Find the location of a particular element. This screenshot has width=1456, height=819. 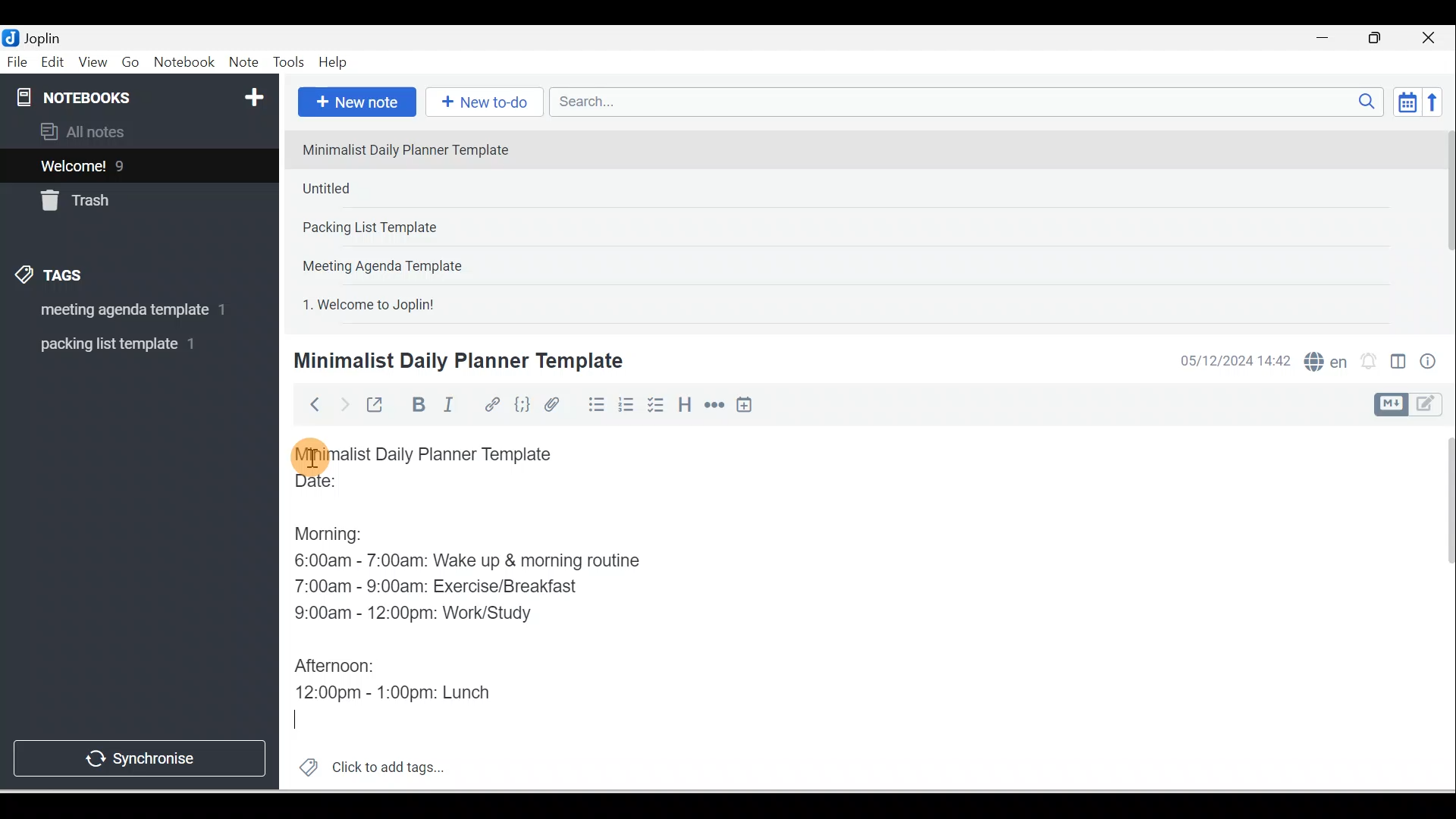

Joplin is located at coordinates (46, 36).